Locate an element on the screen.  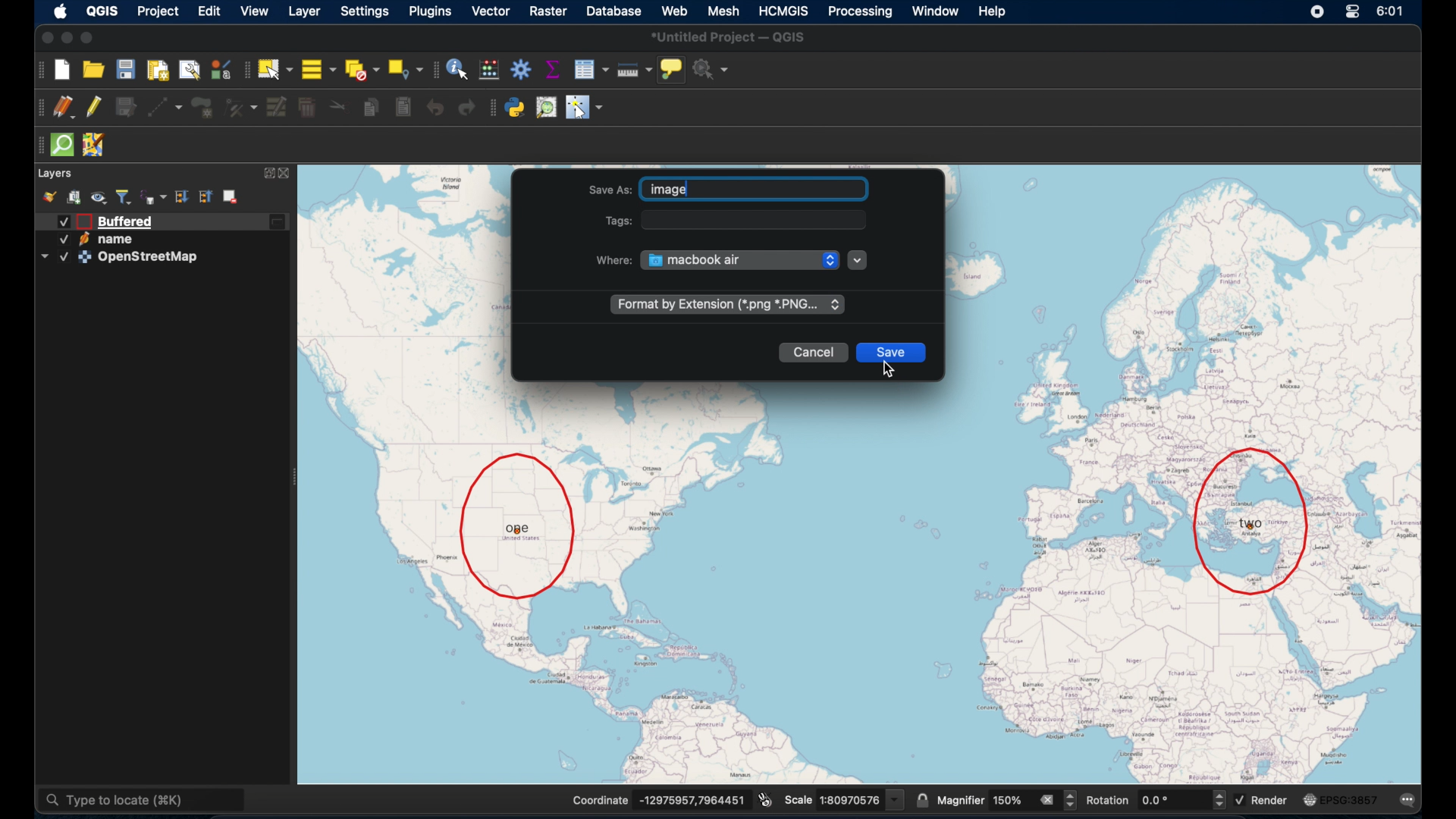
identify features is located at coordinates (457, 69).